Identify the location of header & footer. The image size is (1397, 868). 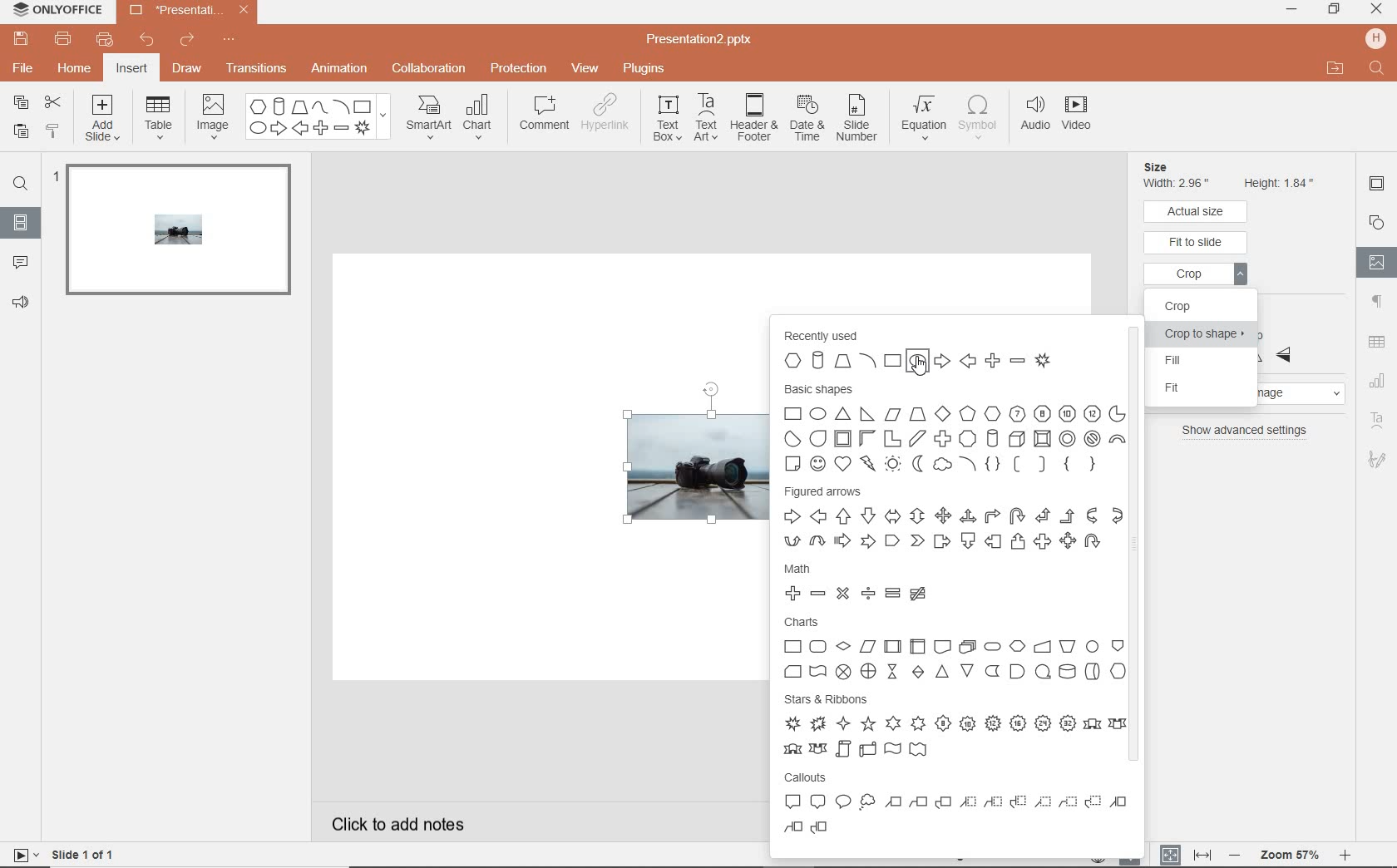
(755, 122).